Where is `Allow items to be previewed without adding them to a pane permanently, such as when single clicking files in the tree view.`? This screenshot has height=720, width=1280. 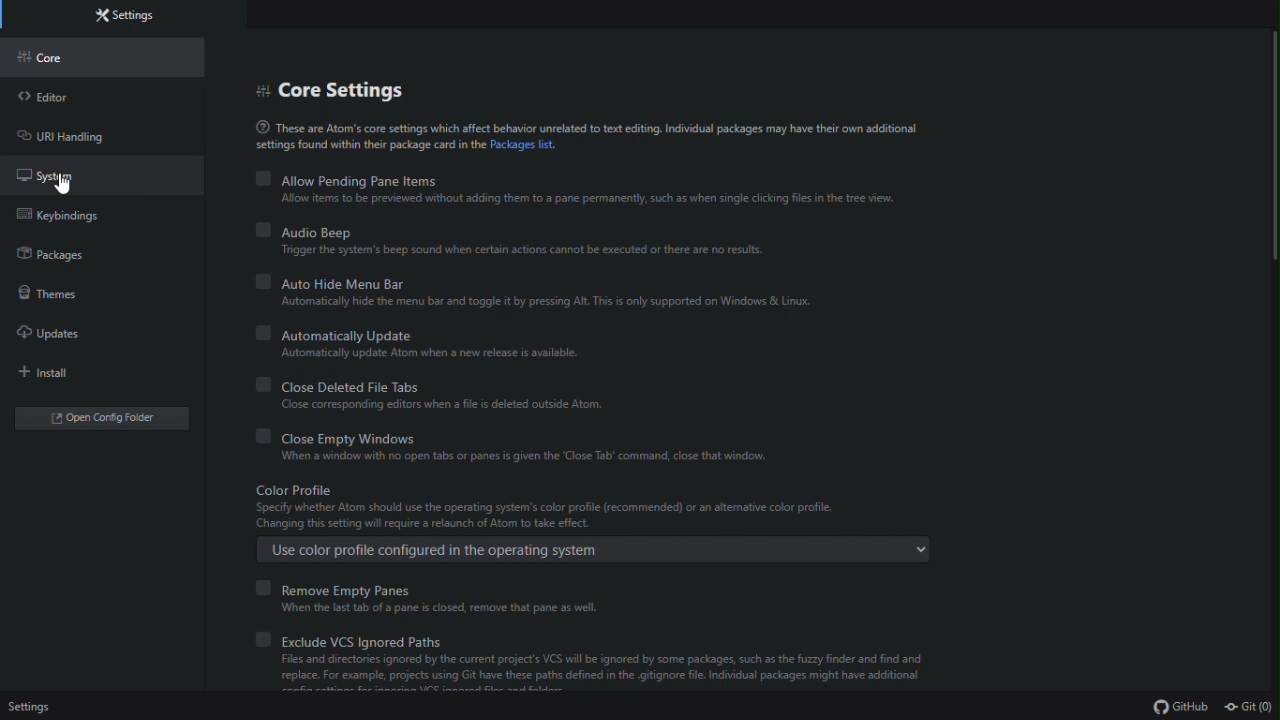 Allow items to be previewed without adding them to a pane permanently, such as when single clicking files in the tree view. is located at coordinates (585, 199).